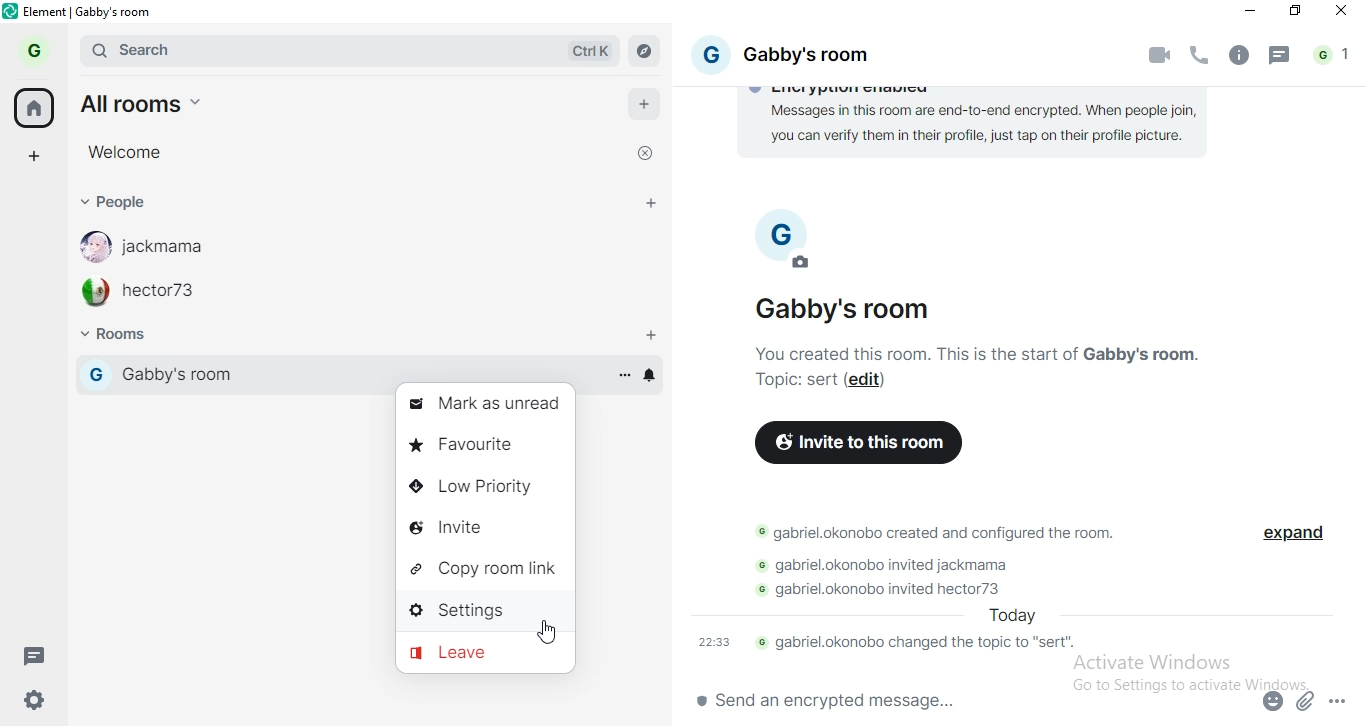 The image size is (1366, 726). Describe the element at coordinates (478, 652) in the screenshot. I see `leave` at that location.